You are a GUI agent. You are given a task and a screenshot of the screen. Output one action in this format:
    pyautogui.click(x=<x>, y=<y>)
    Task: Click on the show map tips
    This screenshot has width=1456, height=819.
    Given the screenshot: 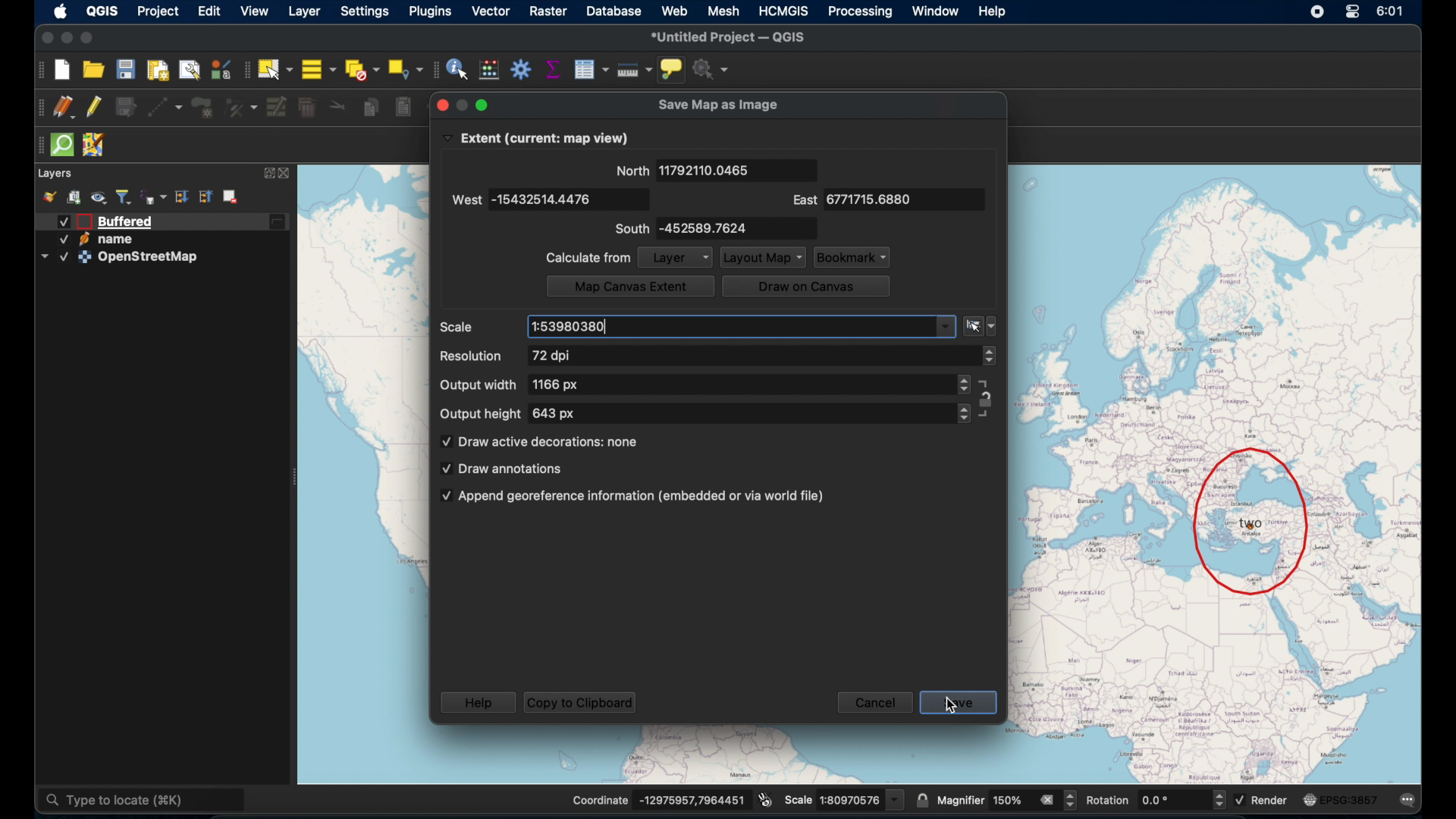 What is the action you would take?
    pyautogui.click(x=673, y=69)
    